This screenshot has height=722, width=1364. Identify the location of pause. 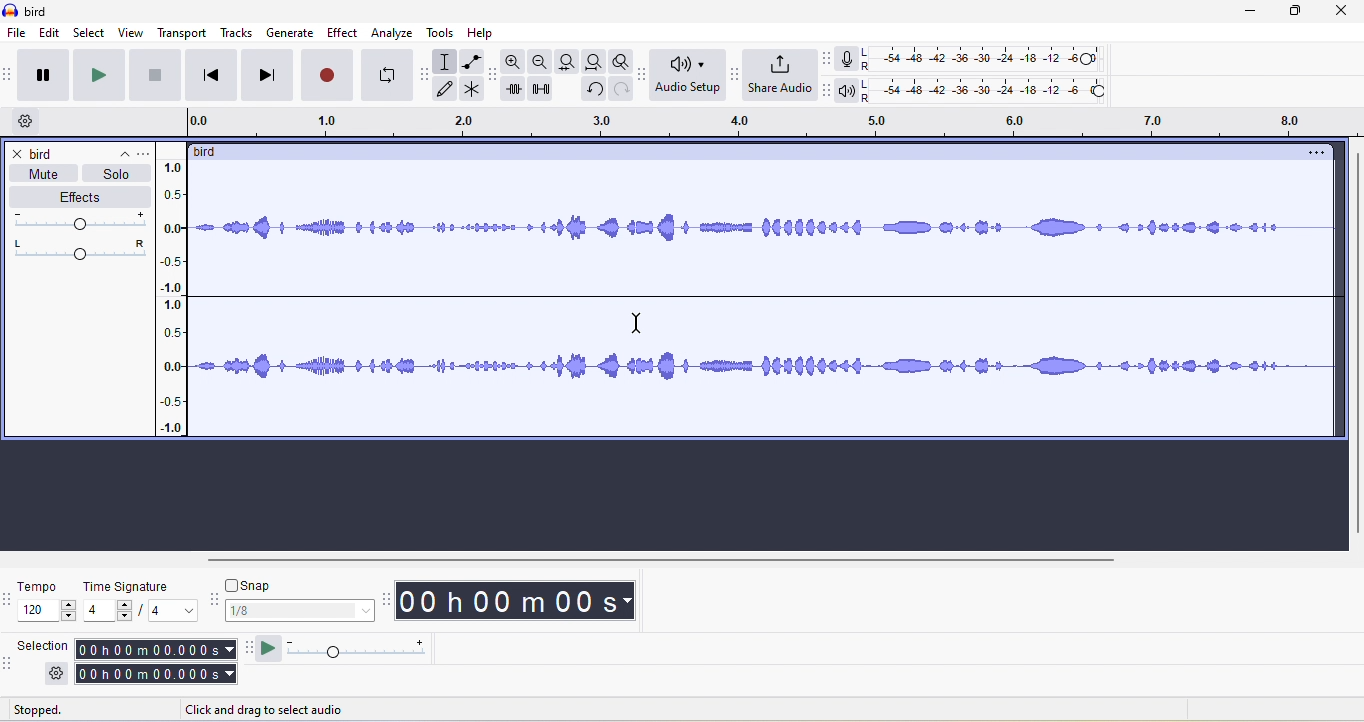
(48, 76).